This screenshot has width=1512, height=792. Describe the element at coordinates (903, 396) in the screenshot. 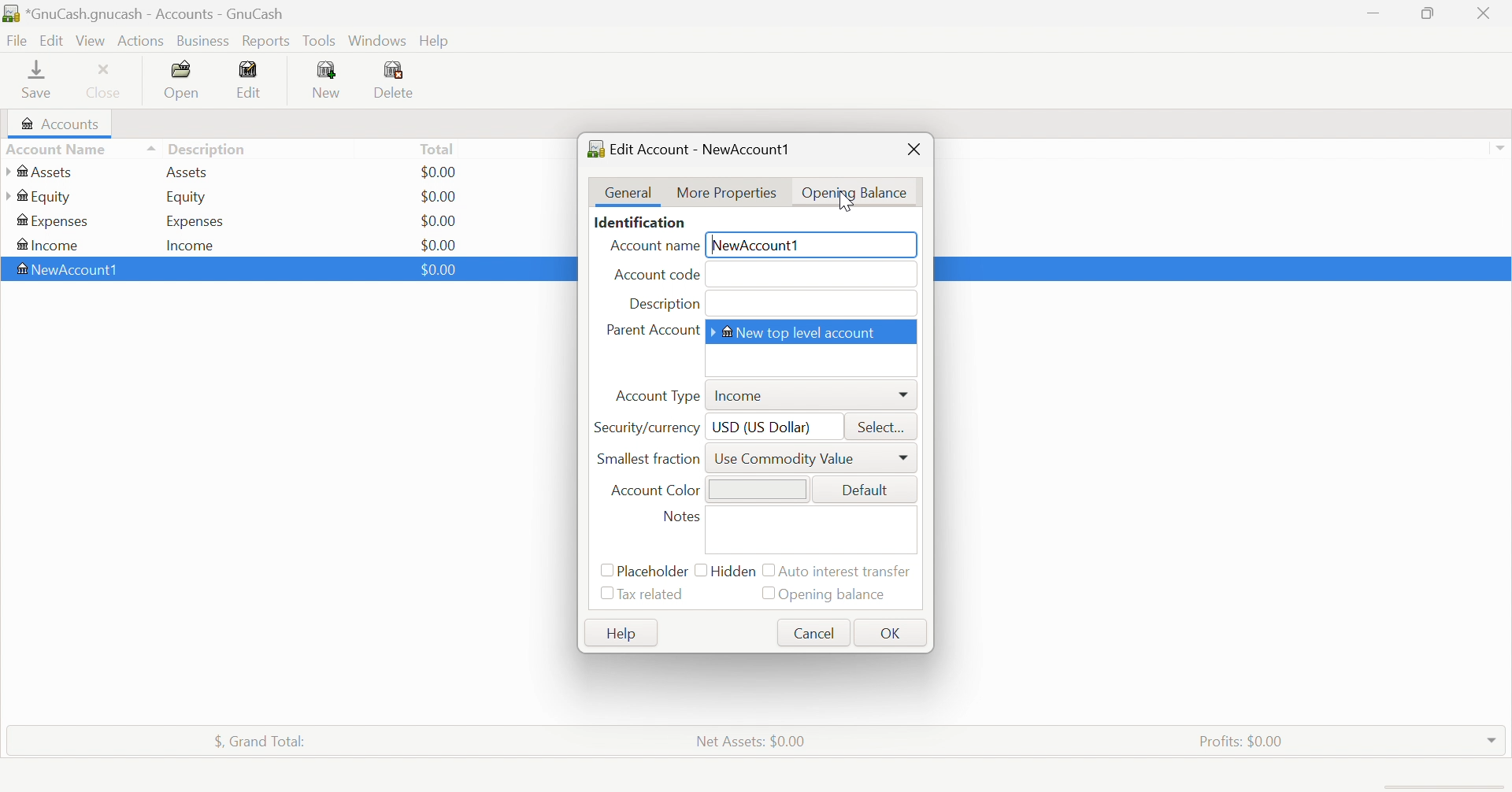

I see `More` at that location.